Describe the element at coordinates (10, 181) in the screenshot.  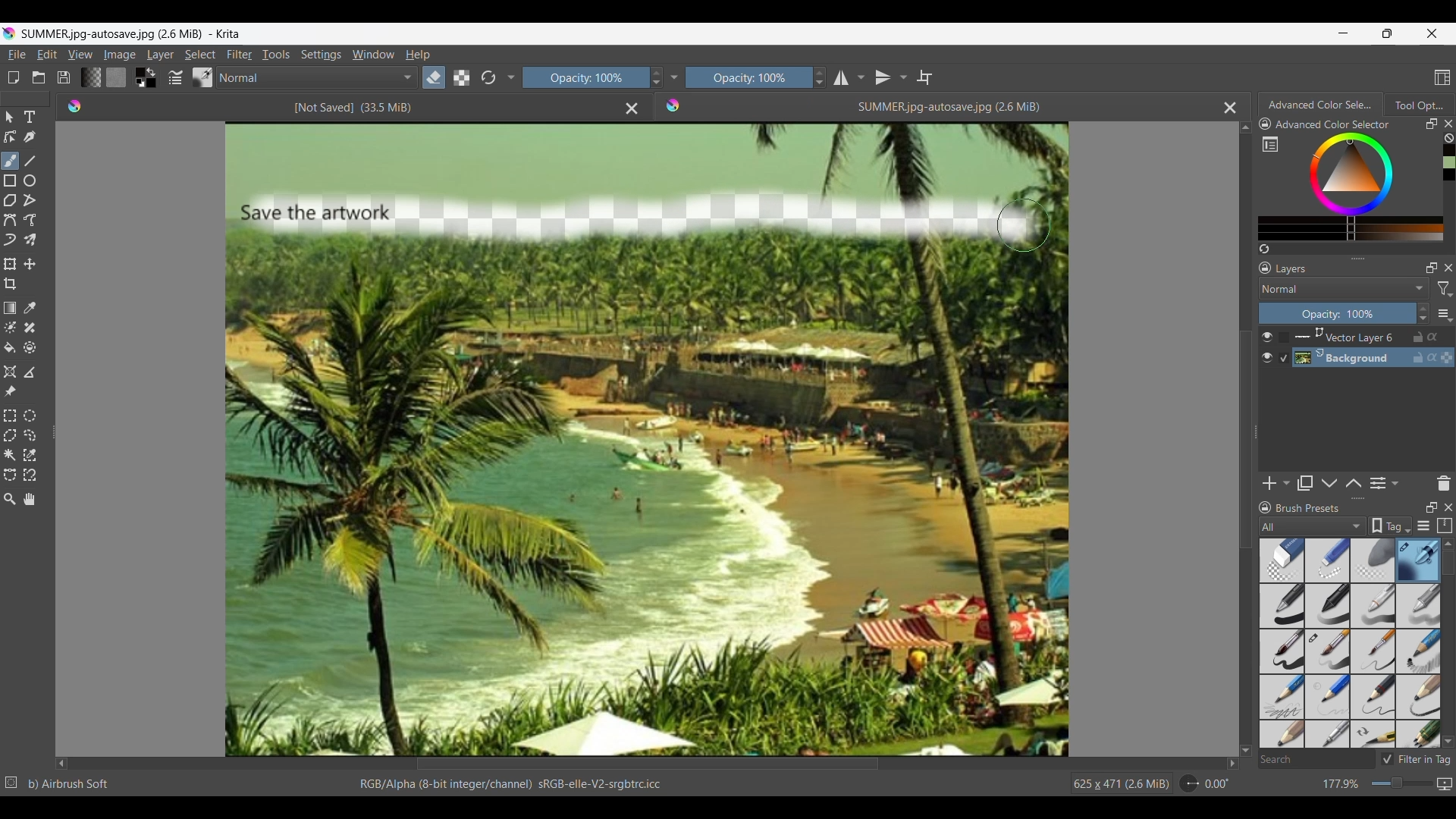
I see `Rectangle tool` at that location.